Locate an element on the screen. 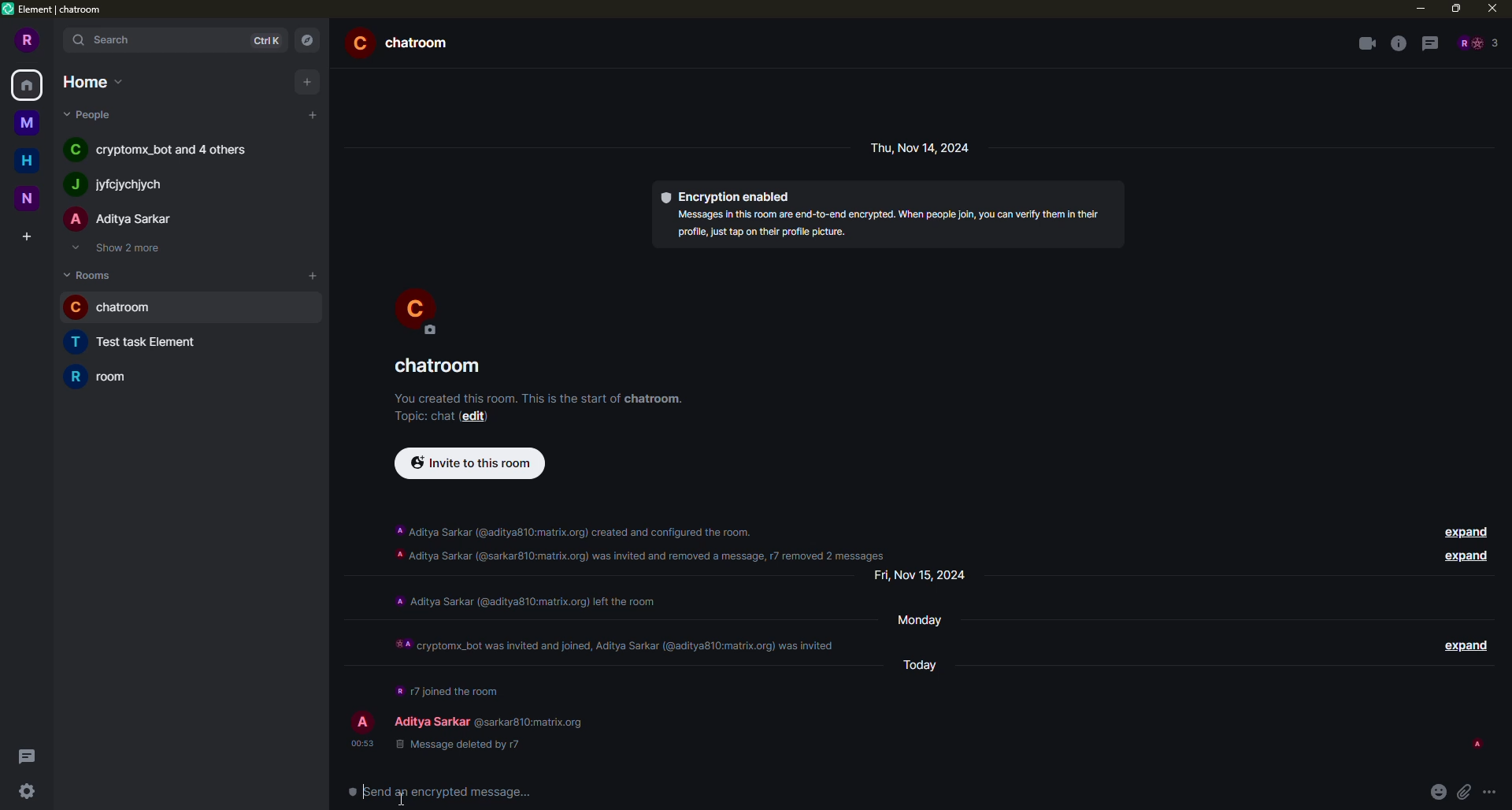 Image resolution: width=1512 pixels, height=810 pixels. space is located at coordinates (31, 199).